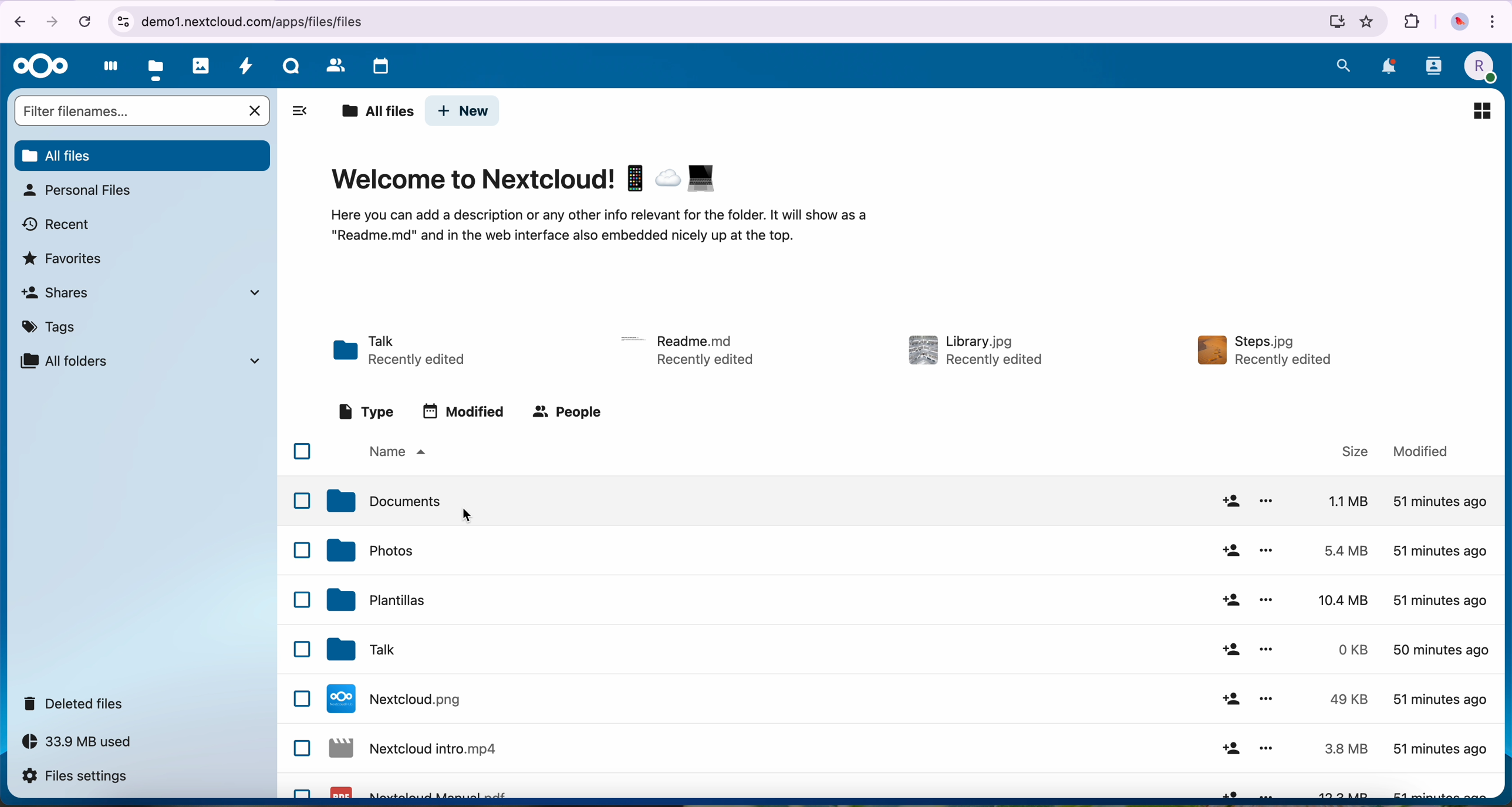 The width and height of the screenshot is (1512, 807). What do you see at coordinates (301, 599) in the screenshot?
I see `checkbox` at bounding box center [301, 599].